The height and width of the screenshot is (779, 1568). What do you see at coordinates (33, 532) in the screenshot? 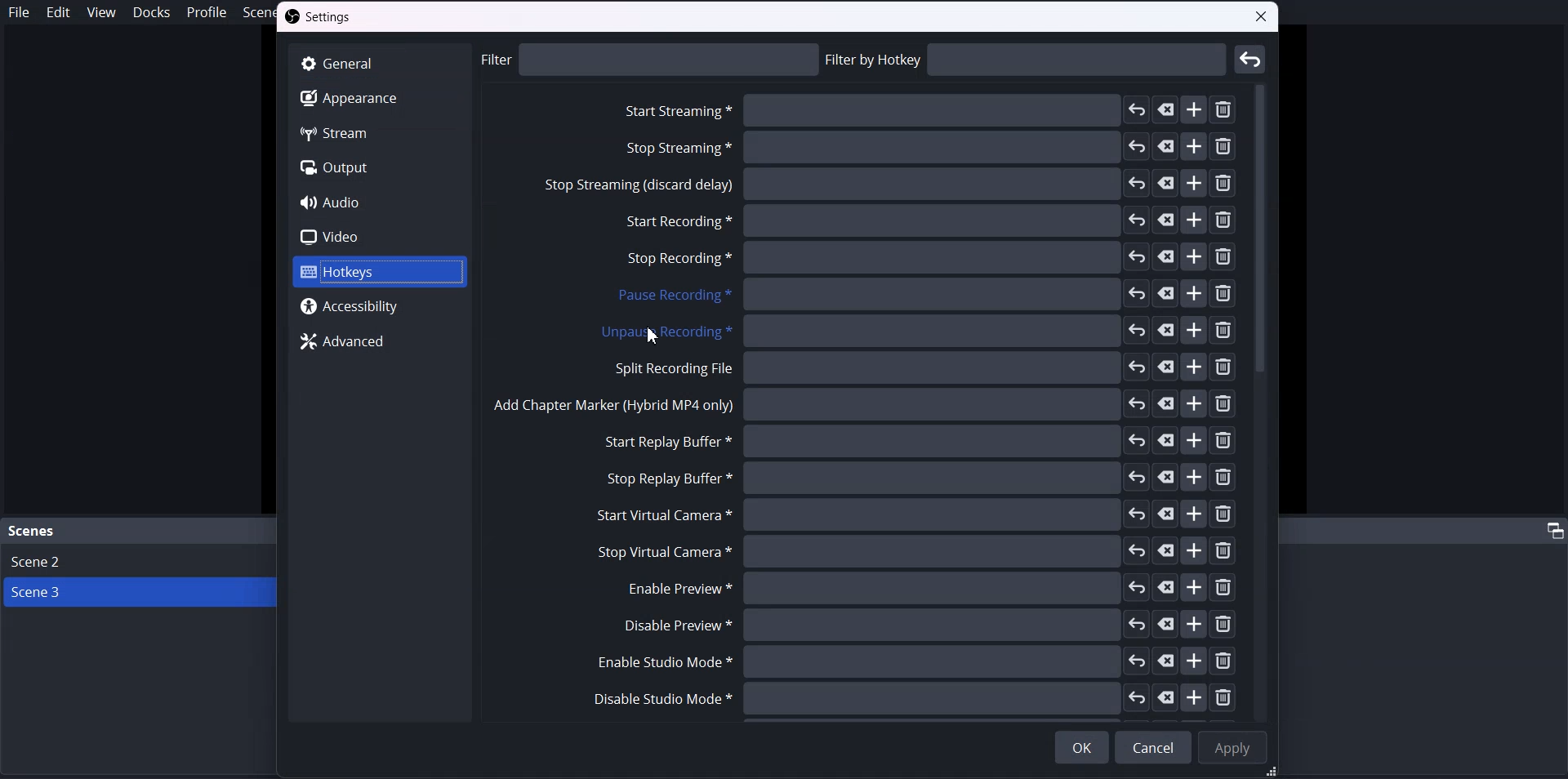
I see `Scene` at bounding box center [33, 532].